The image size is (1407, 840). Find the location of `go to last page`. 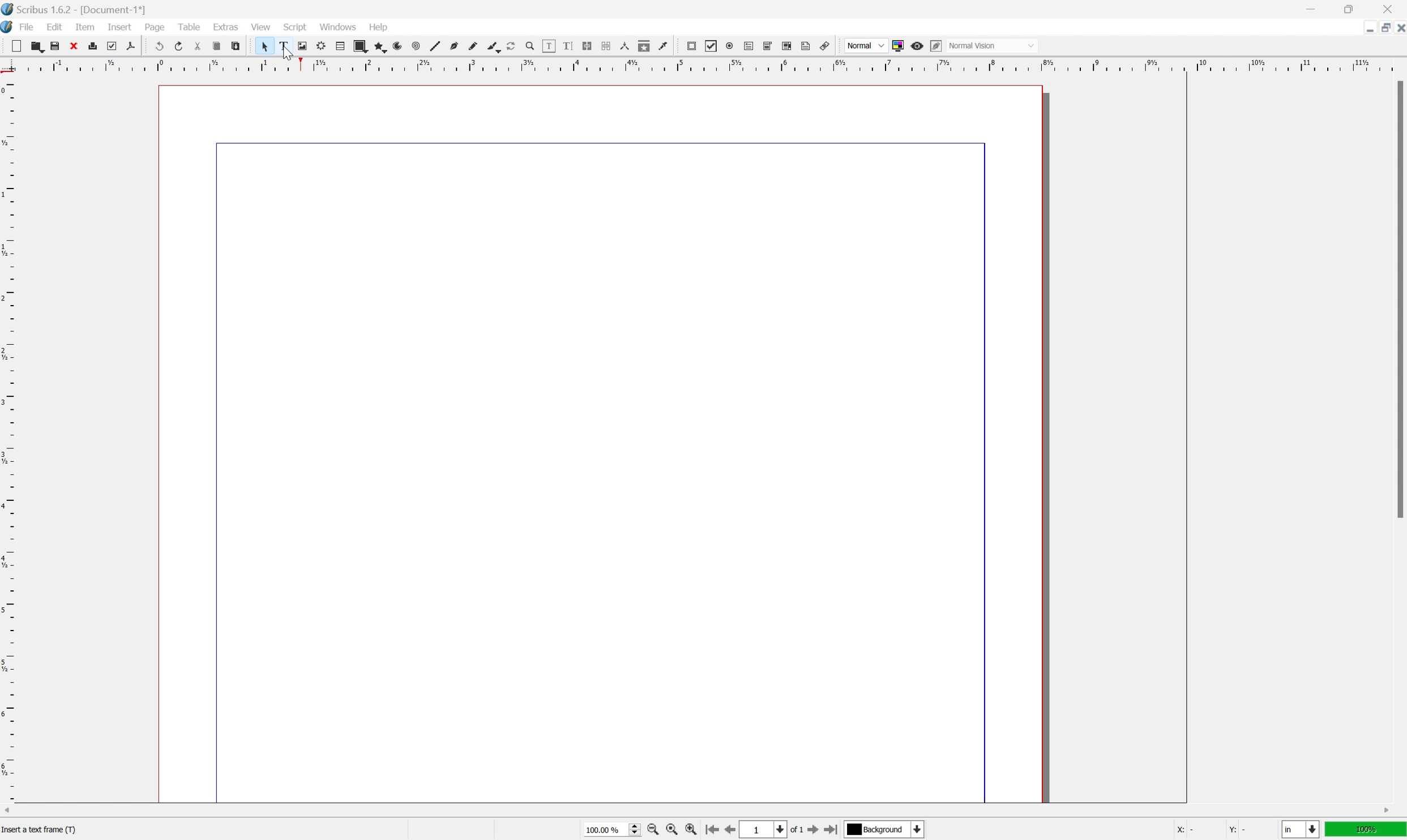

go to last page is located at coordinates (835, 832).